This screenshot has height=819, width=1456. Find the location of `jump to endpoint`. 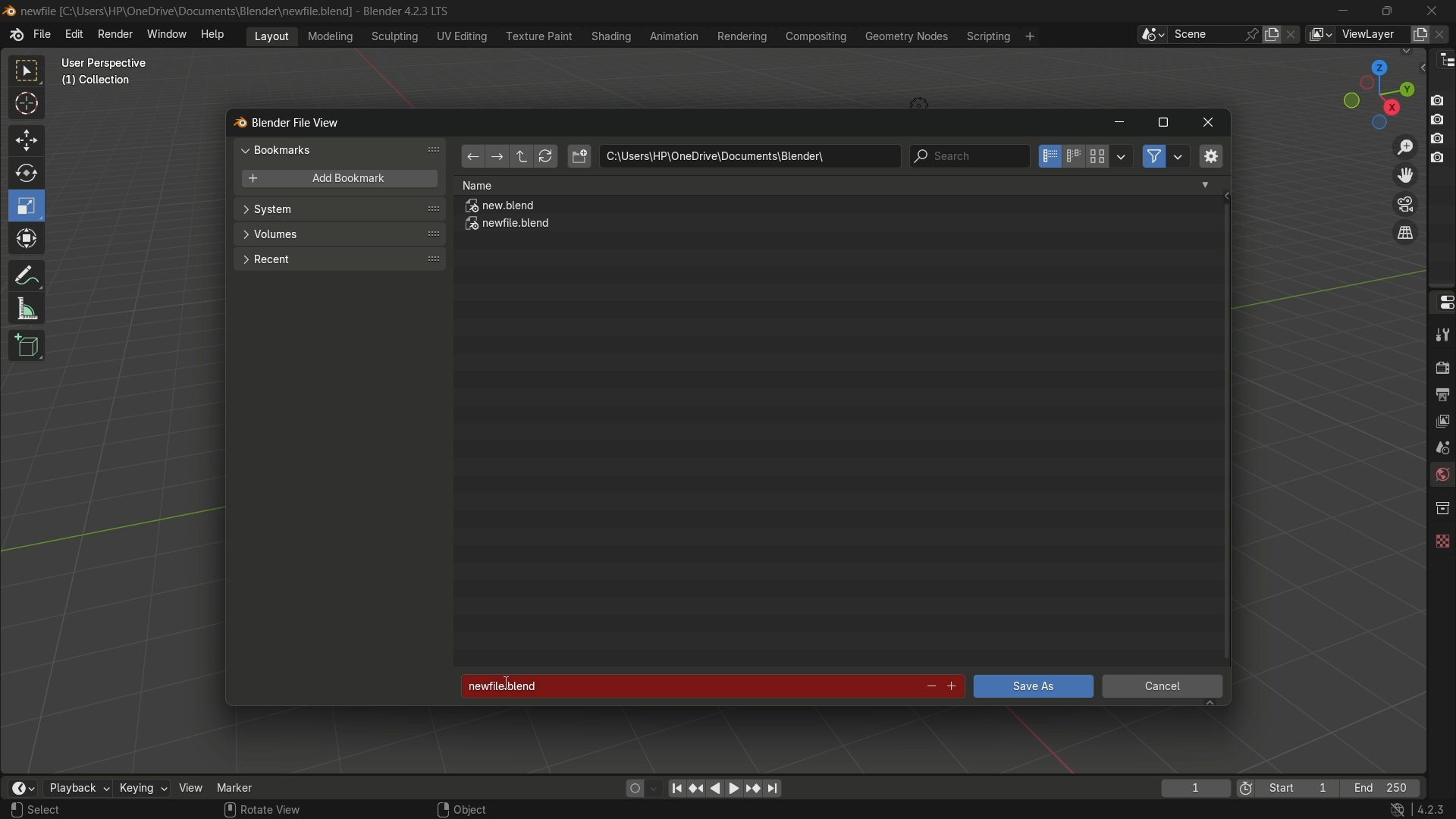

jump to endpoint is located at coordinates (676, 787).